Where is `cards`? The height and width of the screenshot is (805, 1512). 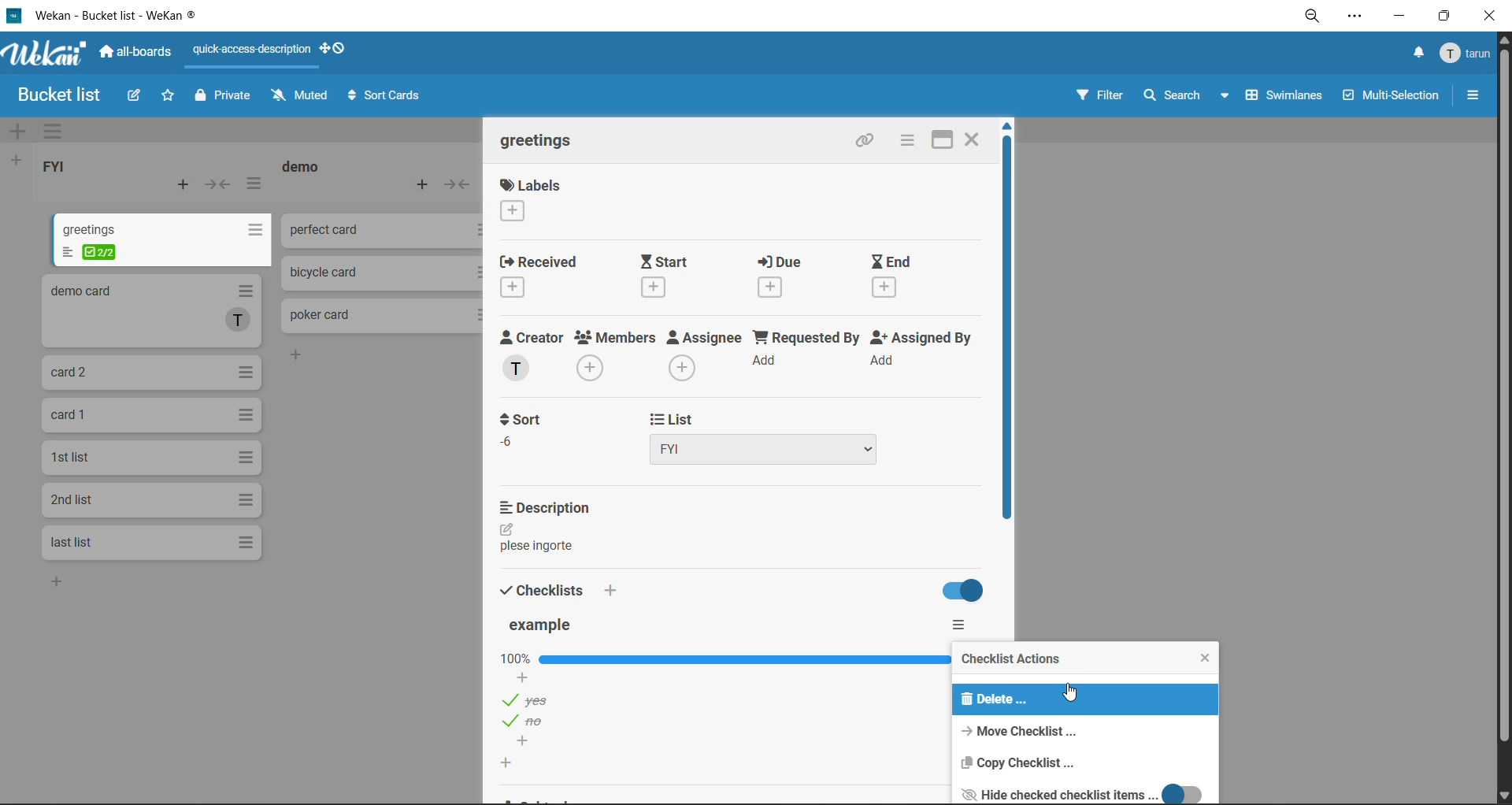 cards is located at coordinates (150, 417).